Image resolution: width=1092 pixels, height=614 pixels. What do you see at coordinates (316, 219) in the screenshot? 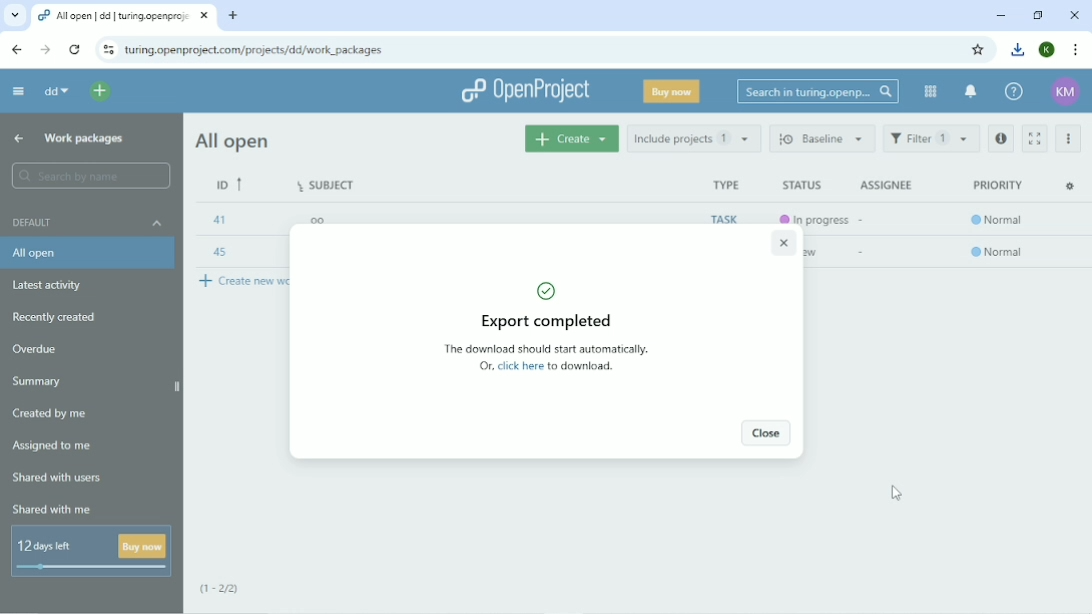
I see `oo` at bounding box center [316, 219].